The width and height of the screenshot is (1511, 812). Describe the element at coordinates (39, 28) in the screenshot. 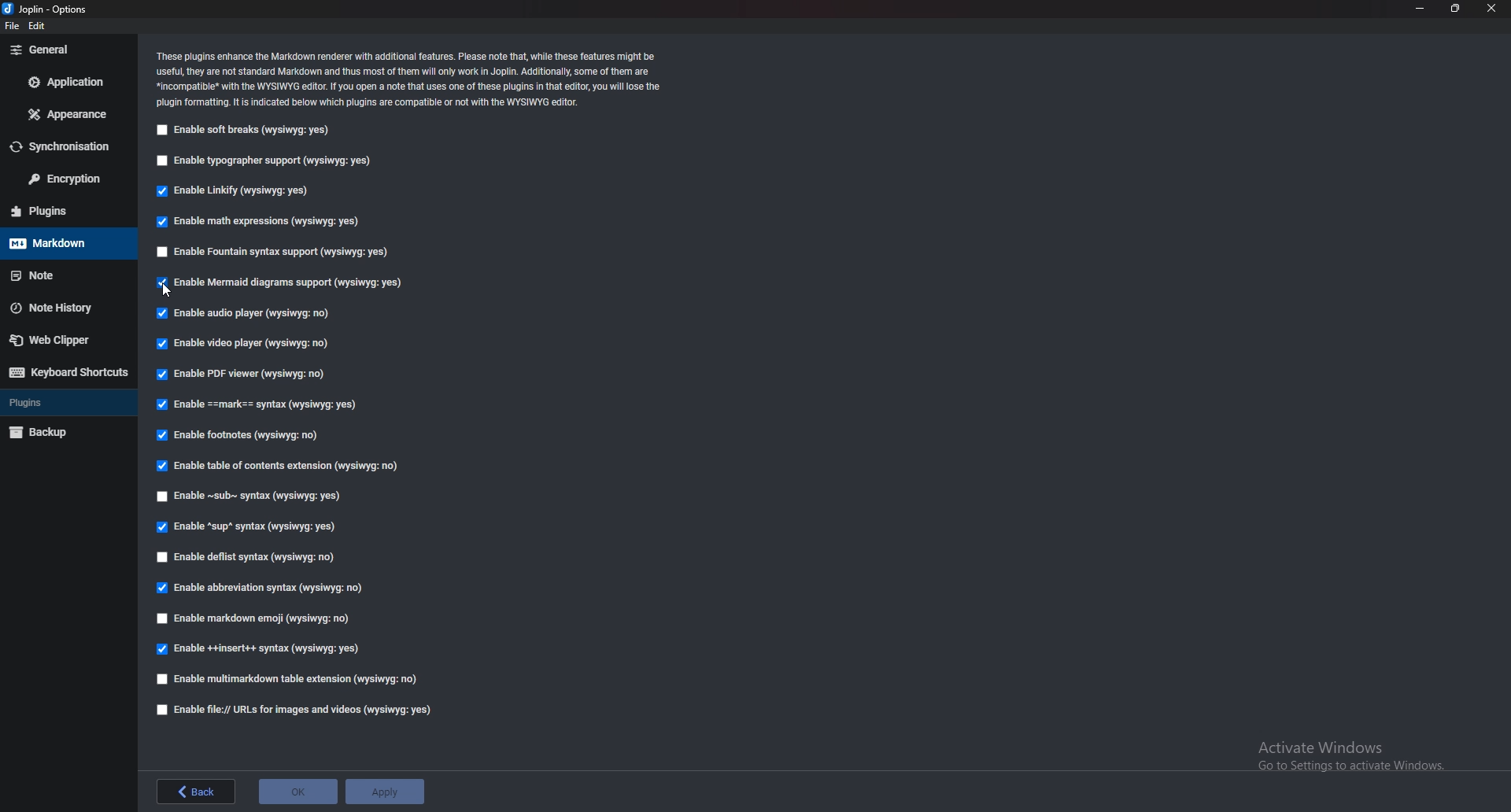

I see `edit` at that location.